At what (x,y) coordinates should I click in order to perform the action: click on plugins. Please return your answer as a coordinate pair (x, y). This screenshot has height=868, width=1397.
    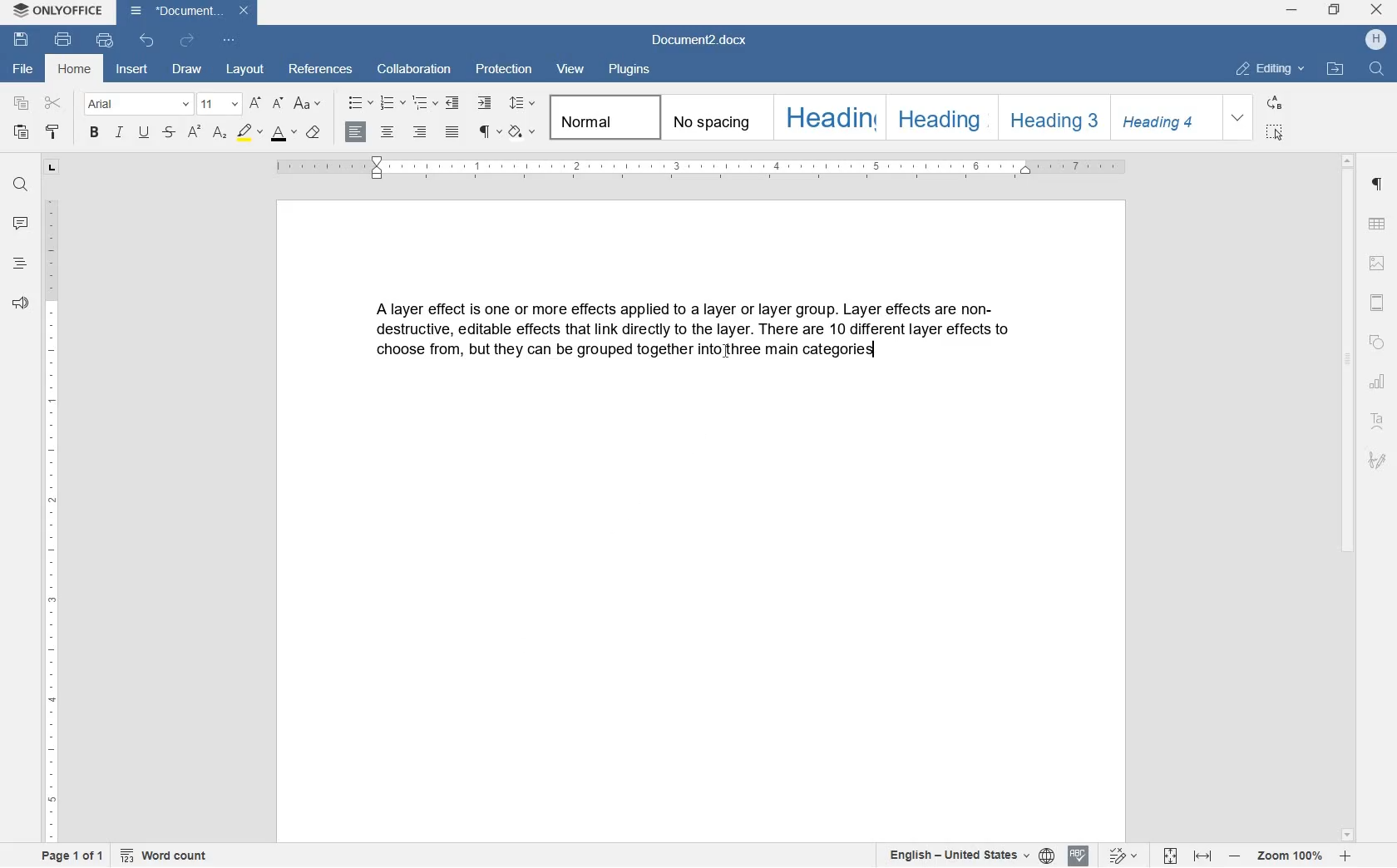
    Looking at the image, I should click on (629, 70).